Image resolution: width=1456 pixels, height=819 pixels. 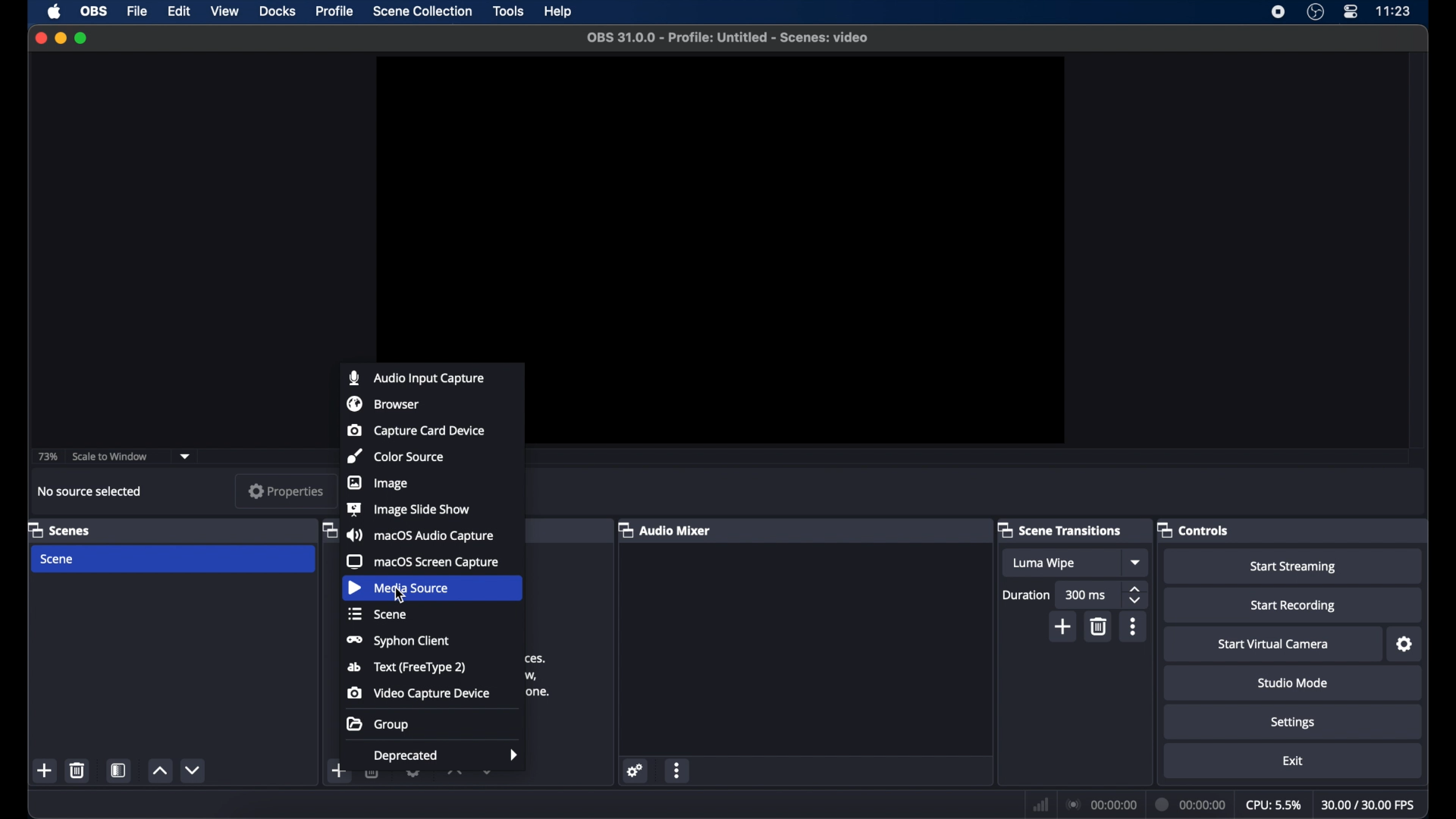 What do you see at coordinates (1294, 723) in the screenshot?
I see `settings` at bounding box center [1294, 723].